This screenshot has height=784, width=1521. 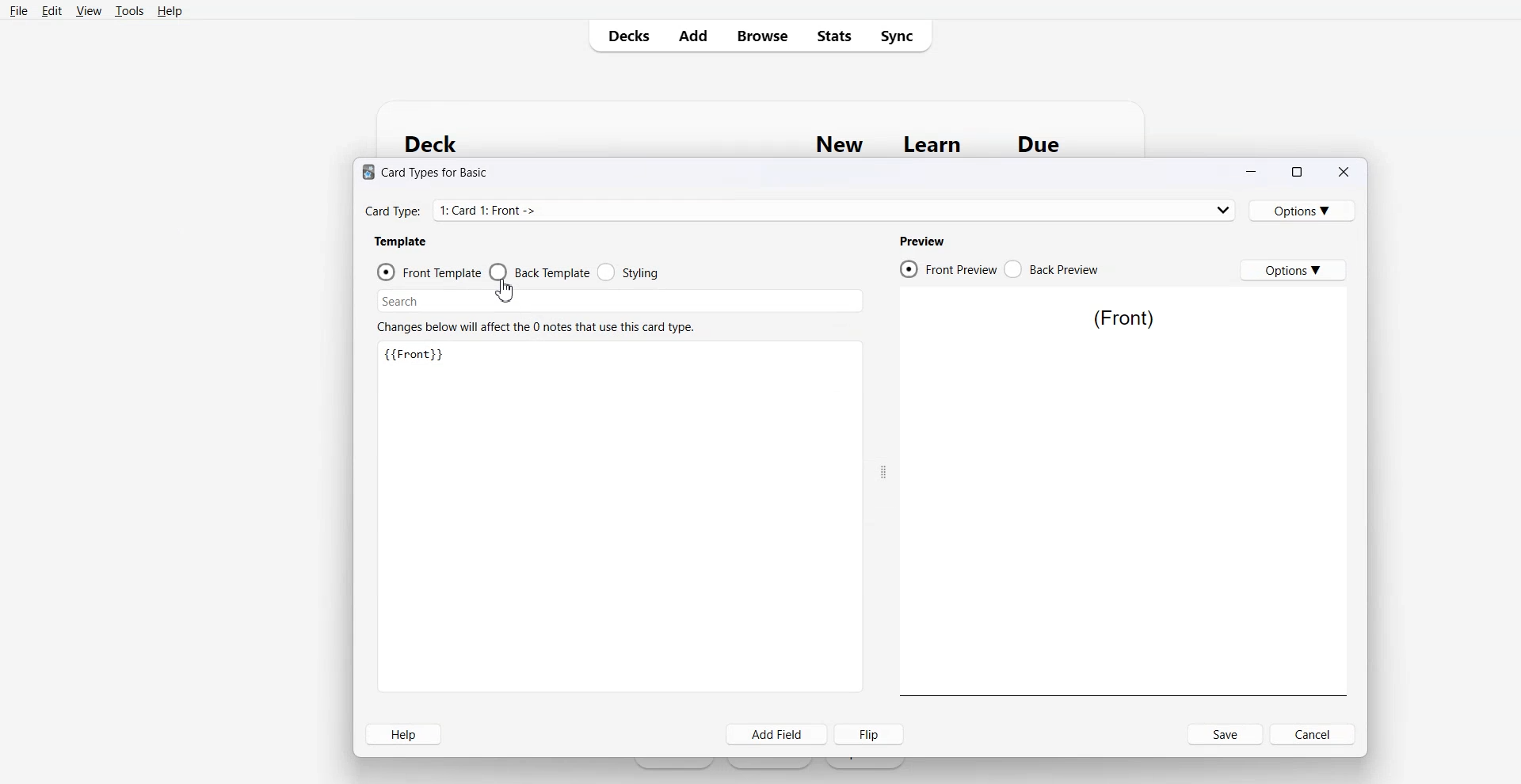 What do you see at coordinates (1341, 172) in the screenshot?
I see `Close` at bounding box center [1341, 172].